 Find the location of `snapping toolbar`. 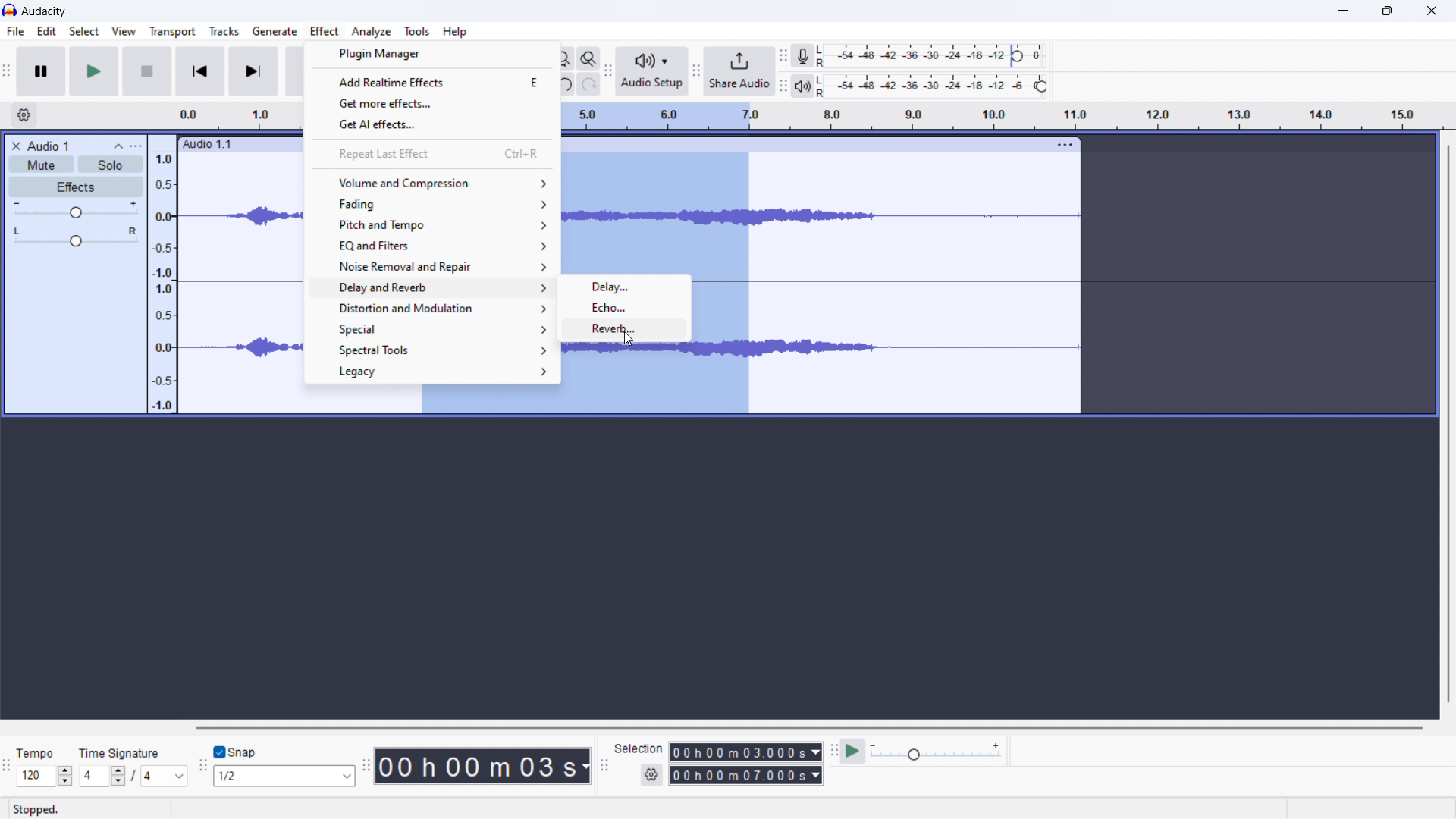

snapping toolbar is located at coordinates (202, 769).